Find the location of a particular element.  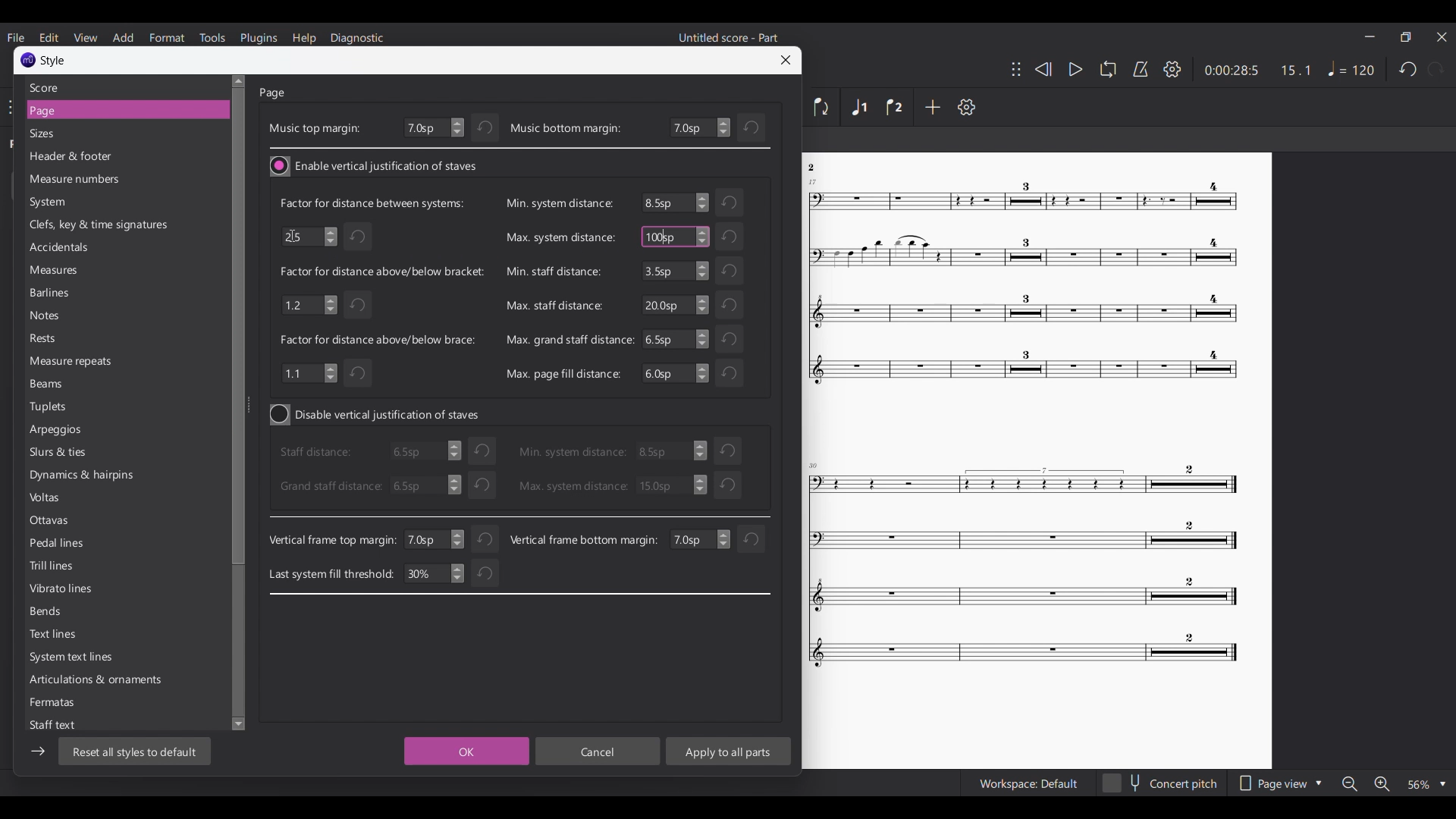

undo is located at coordinates (482, 450).